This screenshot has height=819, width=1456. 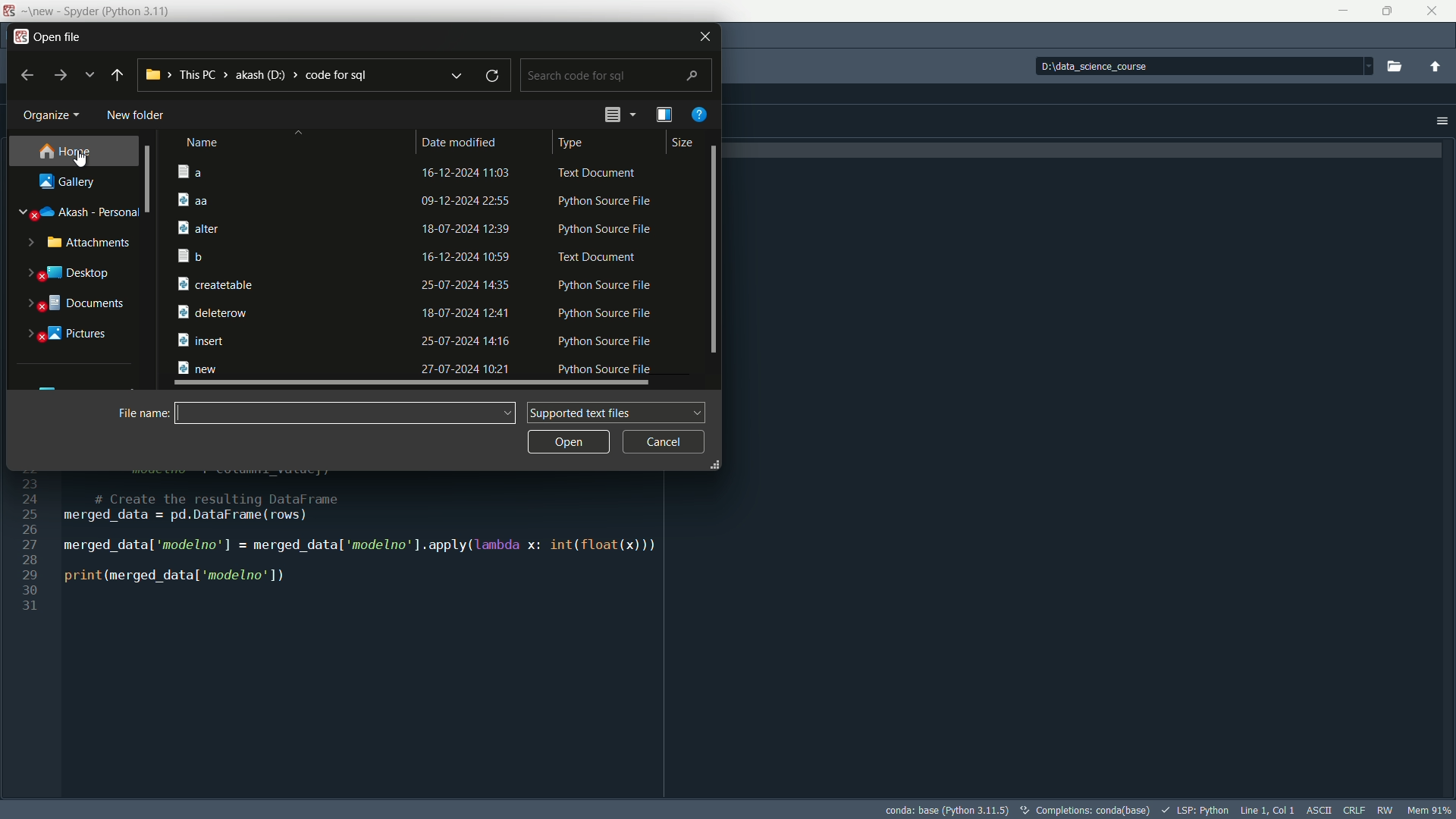 What do you see at coordinates (1397, 65) in the screenshot?
I see `Browse a working directory` at bounding box center [1397, 65].